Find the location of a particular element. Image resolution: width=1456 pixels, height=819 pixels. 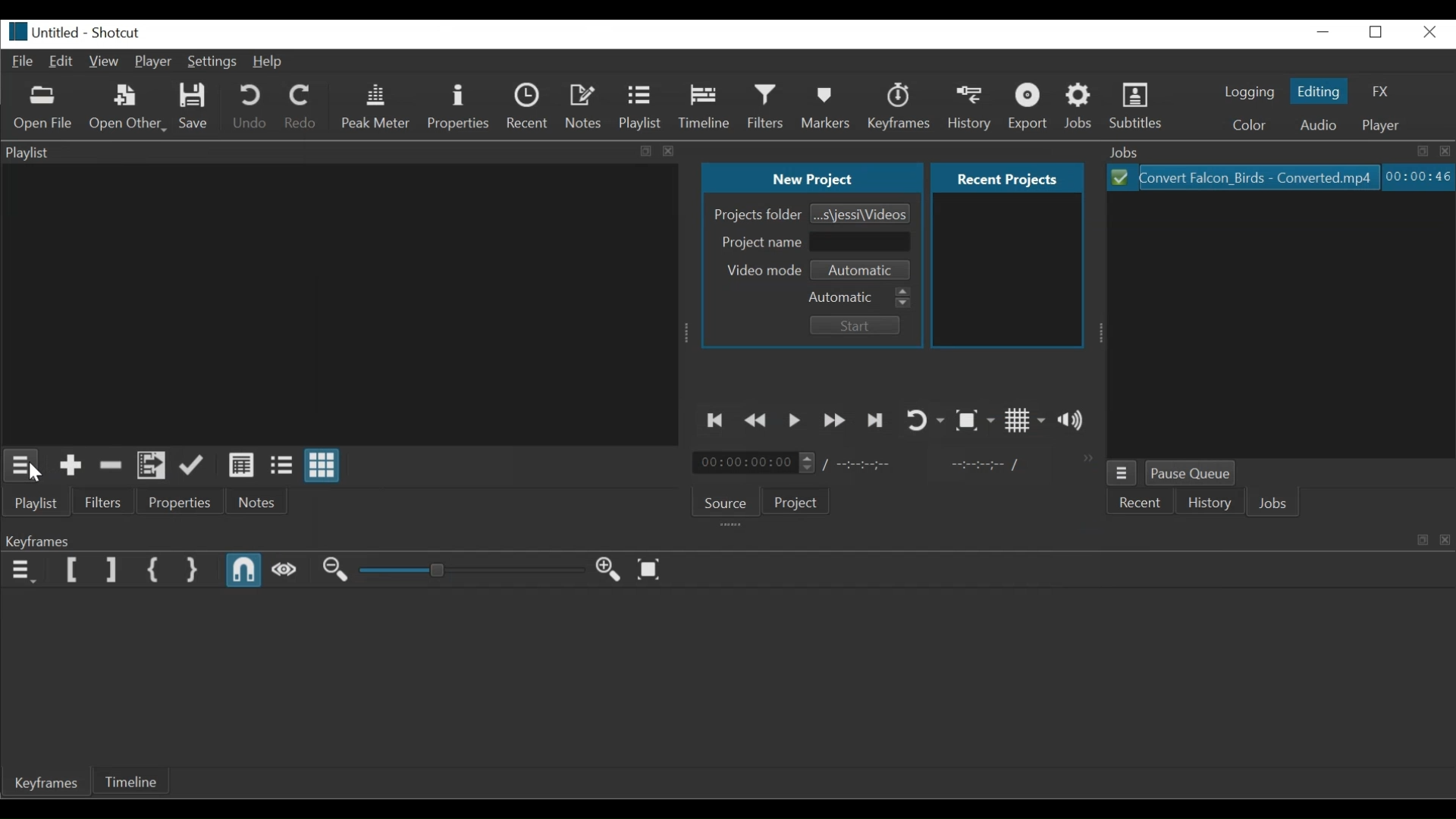

Zoom keyframe in is located at coordinates (334, 569).